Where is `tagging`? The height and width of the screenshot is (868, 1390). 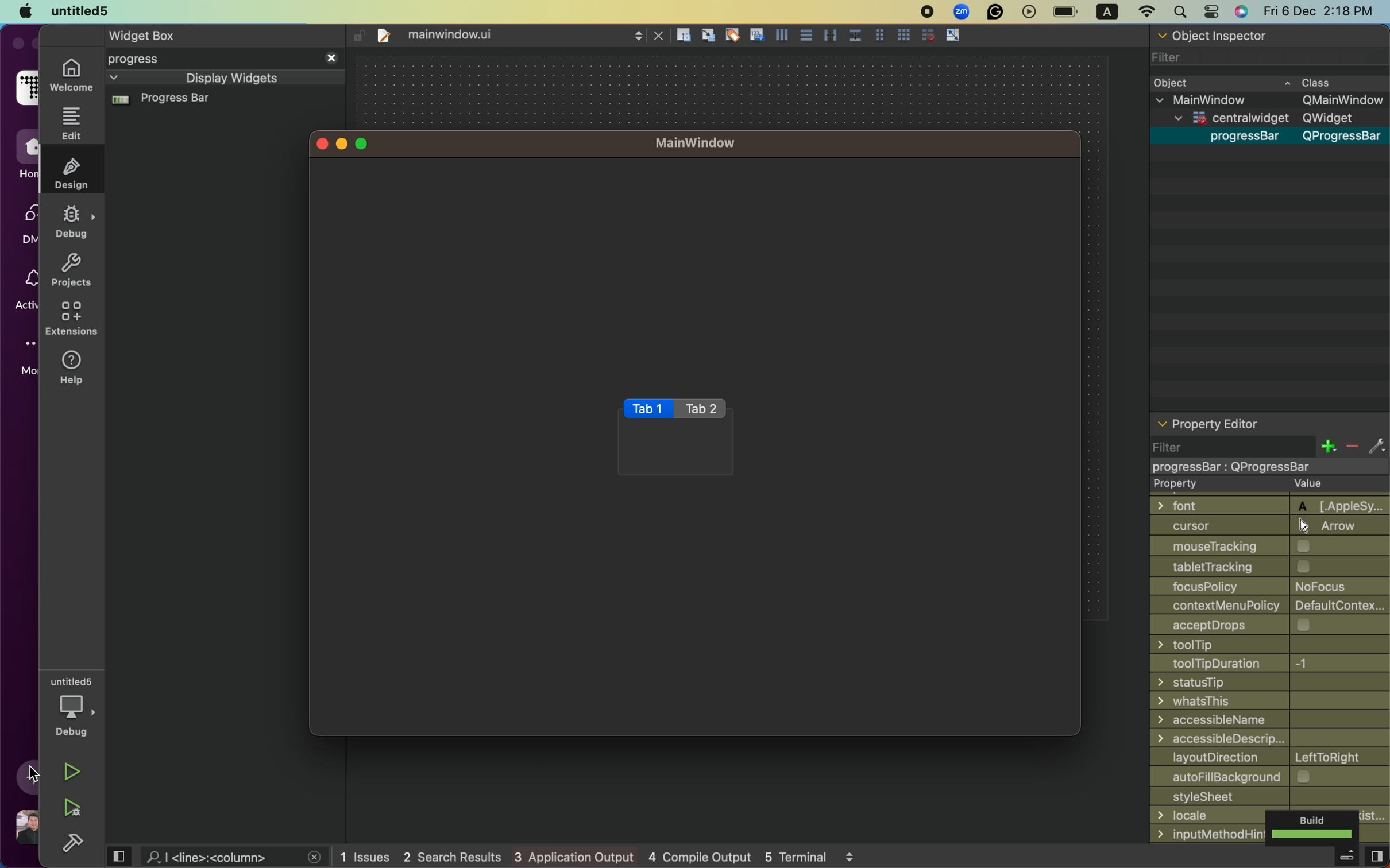 tagging is located at coordinates (733, 34).